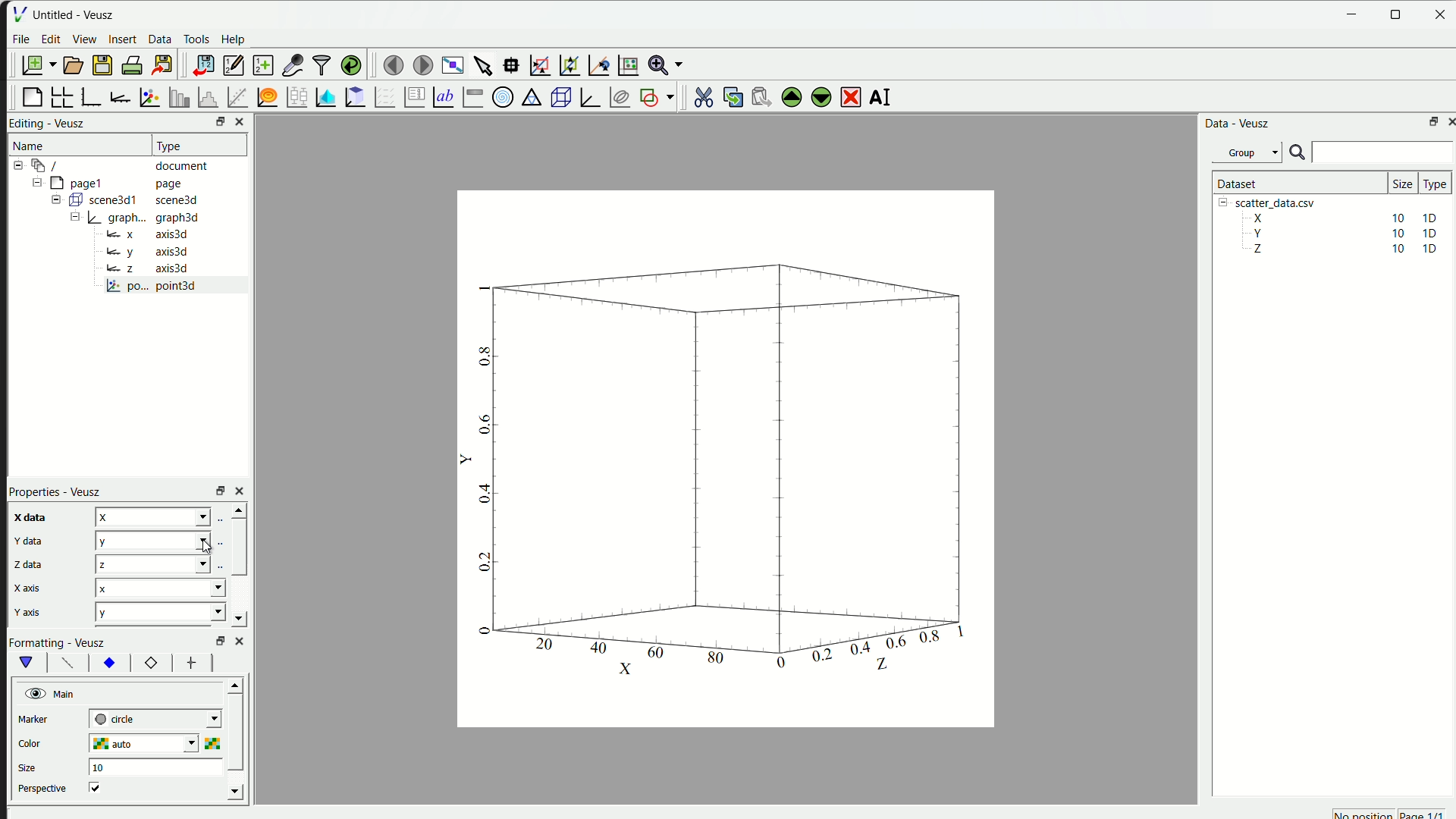  Describe the element at coordinates (262, 64) in the screenshot. I see `create a new dataset` at that location.